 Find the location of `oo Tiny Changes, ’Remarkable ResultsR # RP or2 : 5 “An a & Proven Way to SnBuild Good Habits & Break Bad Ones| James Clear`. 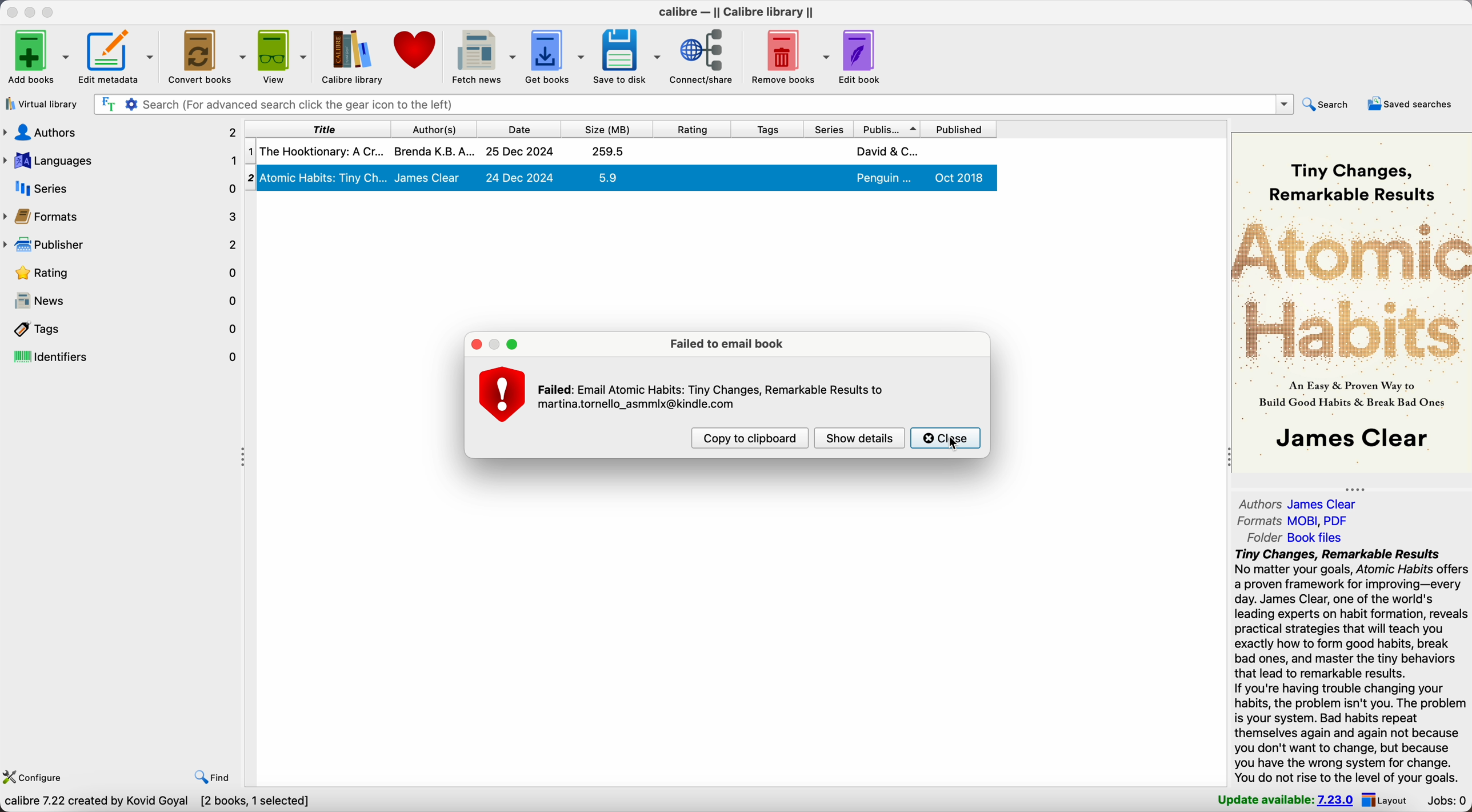

oo Tiny Changes, ’Remarkable ResultsR # RP or2 : 5 “An a & Proven Way to SnBuild Good Habits & Break Bad Ones| James Clear is located at coordinates (1349, 303).